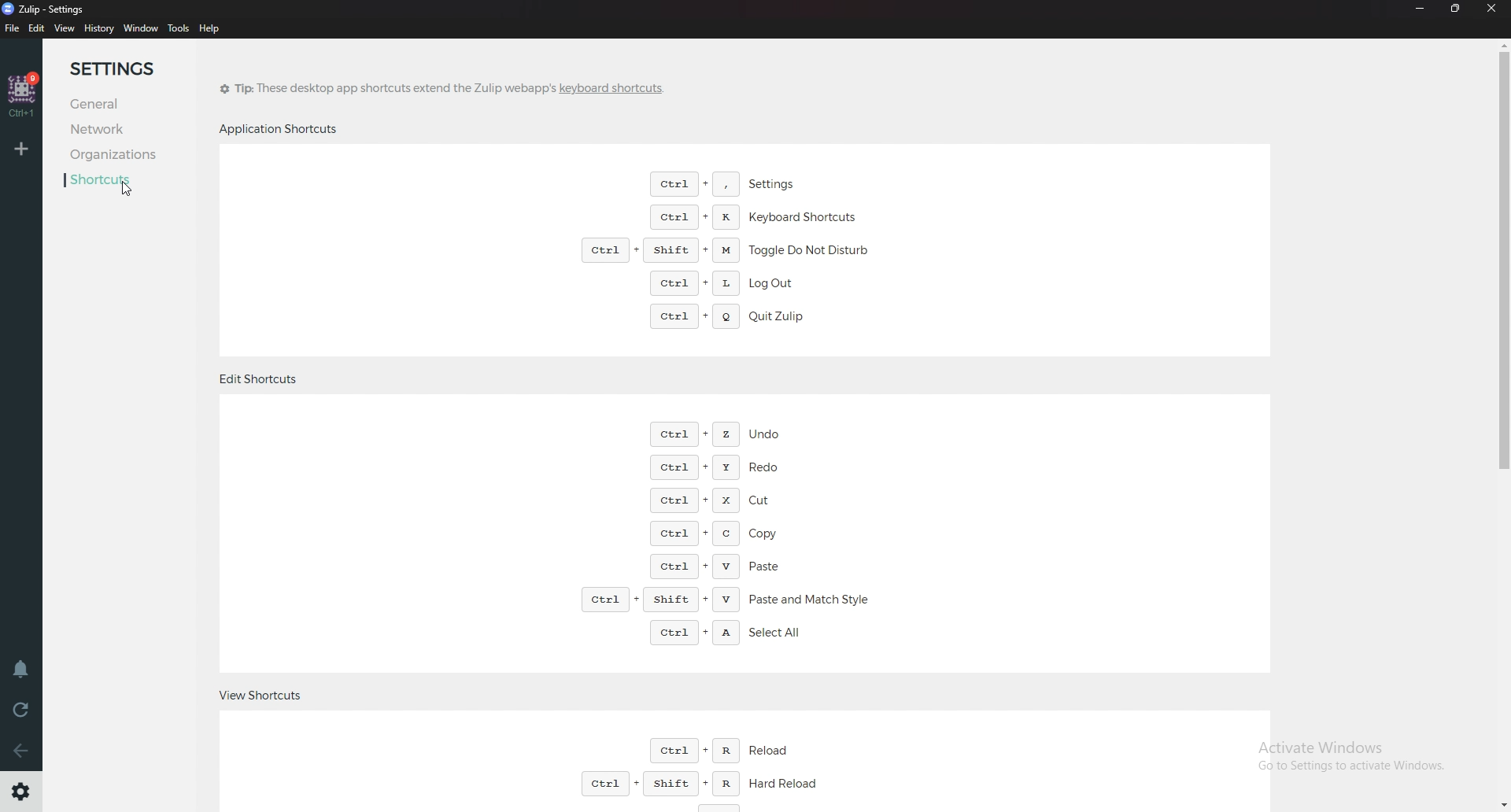 This screenshot has width=1511, height=812. Describe the element at coordinates (20, 749) in the screenshot. I see `Go back` at that location.